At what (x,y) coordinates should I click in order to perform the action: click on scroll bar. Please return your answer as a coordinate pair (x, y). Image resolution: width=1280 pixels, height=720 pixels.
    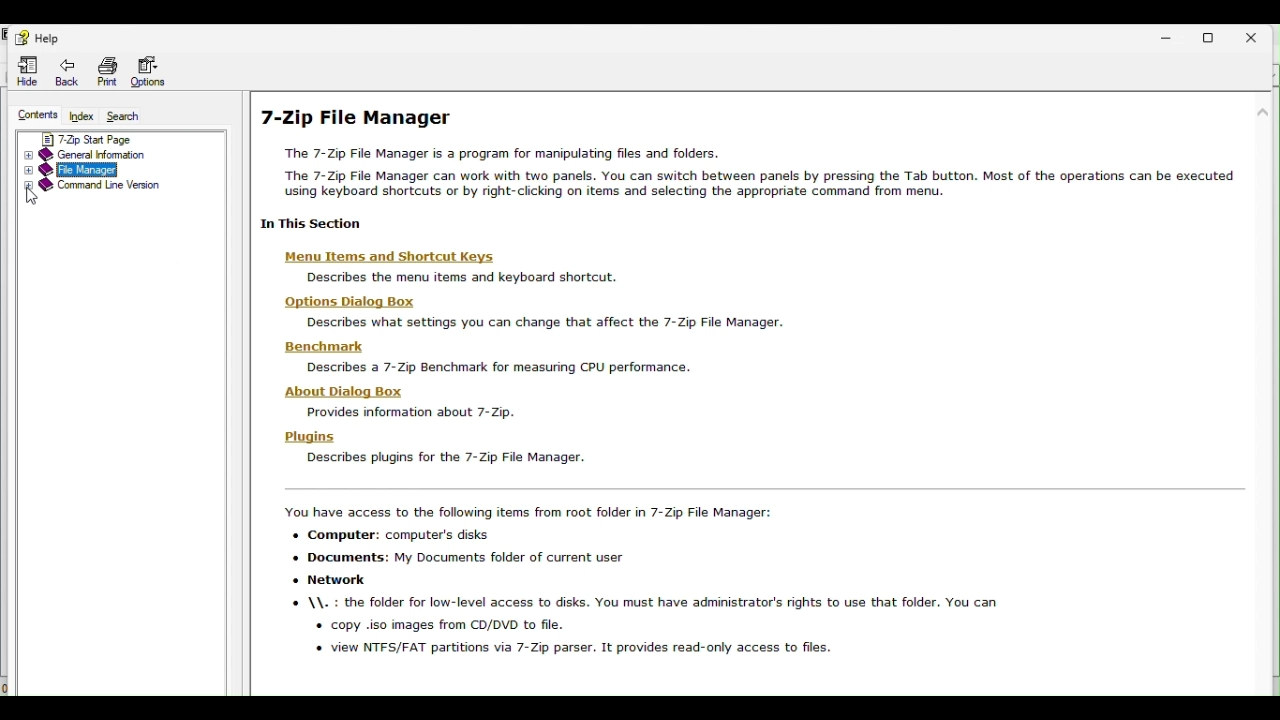
    Looking at the image, I should click on (1261, 312).